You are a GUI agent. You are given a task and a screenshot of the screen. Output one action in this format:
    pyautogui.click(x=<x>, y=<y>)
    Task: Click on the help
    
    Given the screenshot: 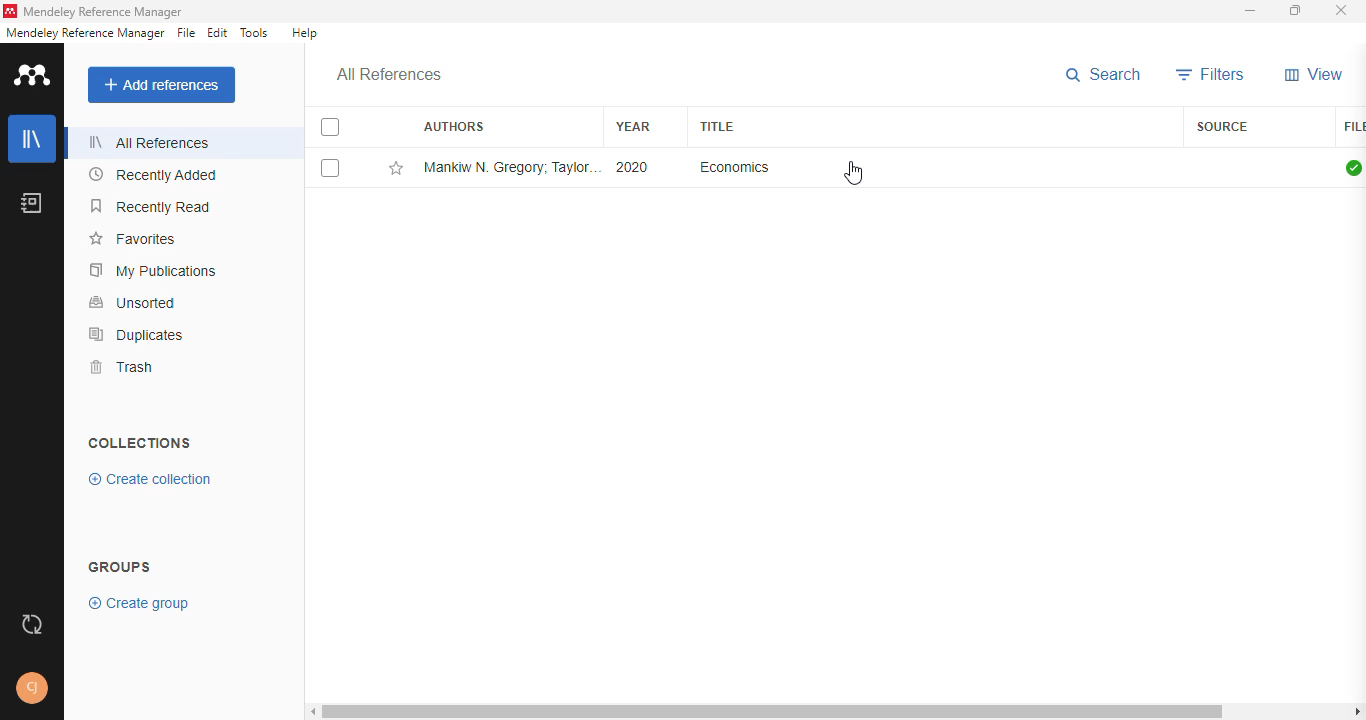 What is the action you would take?
    pyautogui.click(x=305, y=33)
    